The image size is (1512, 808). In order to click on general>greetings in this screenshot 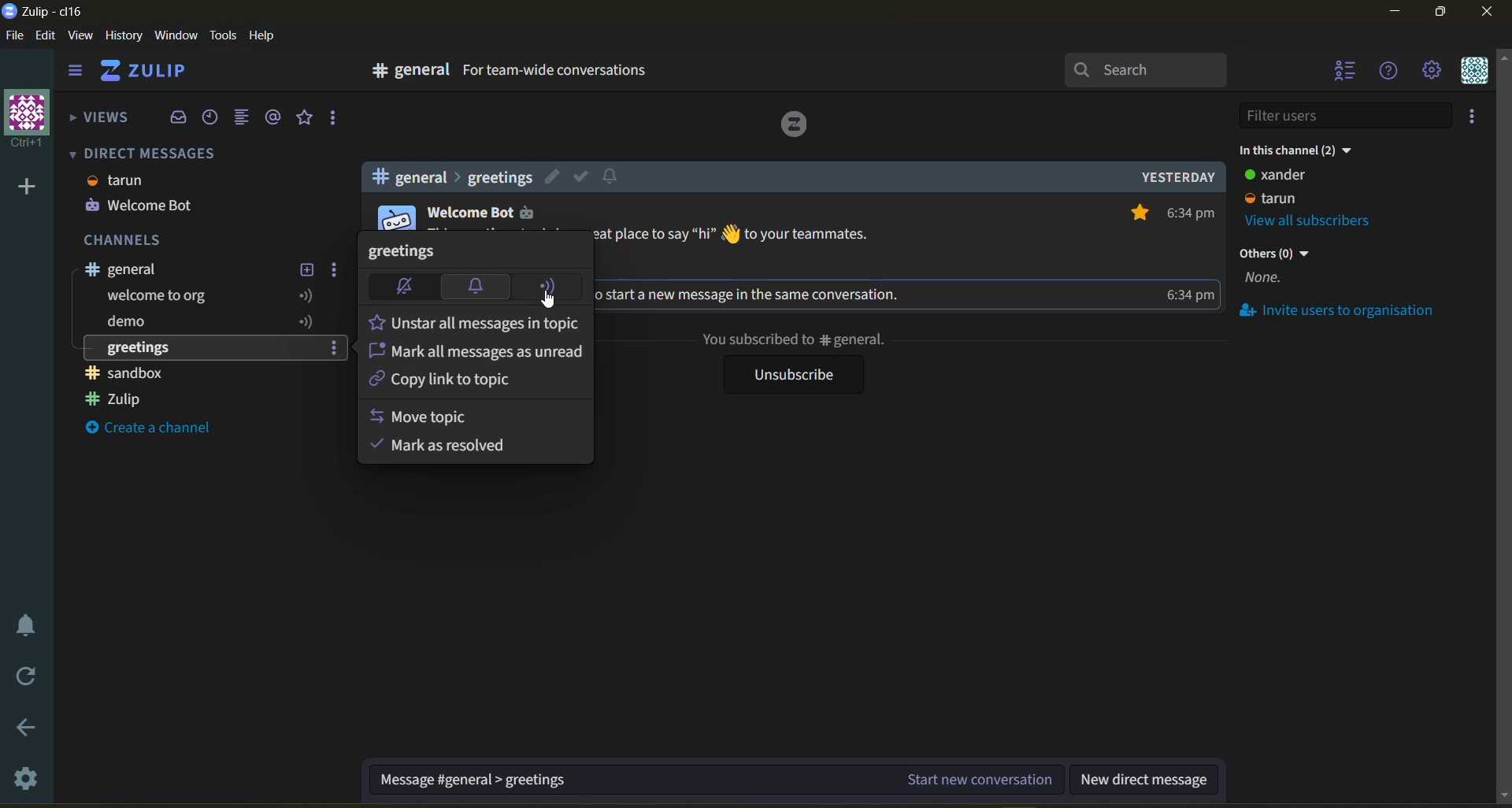, I will do `click(447, 177)`.